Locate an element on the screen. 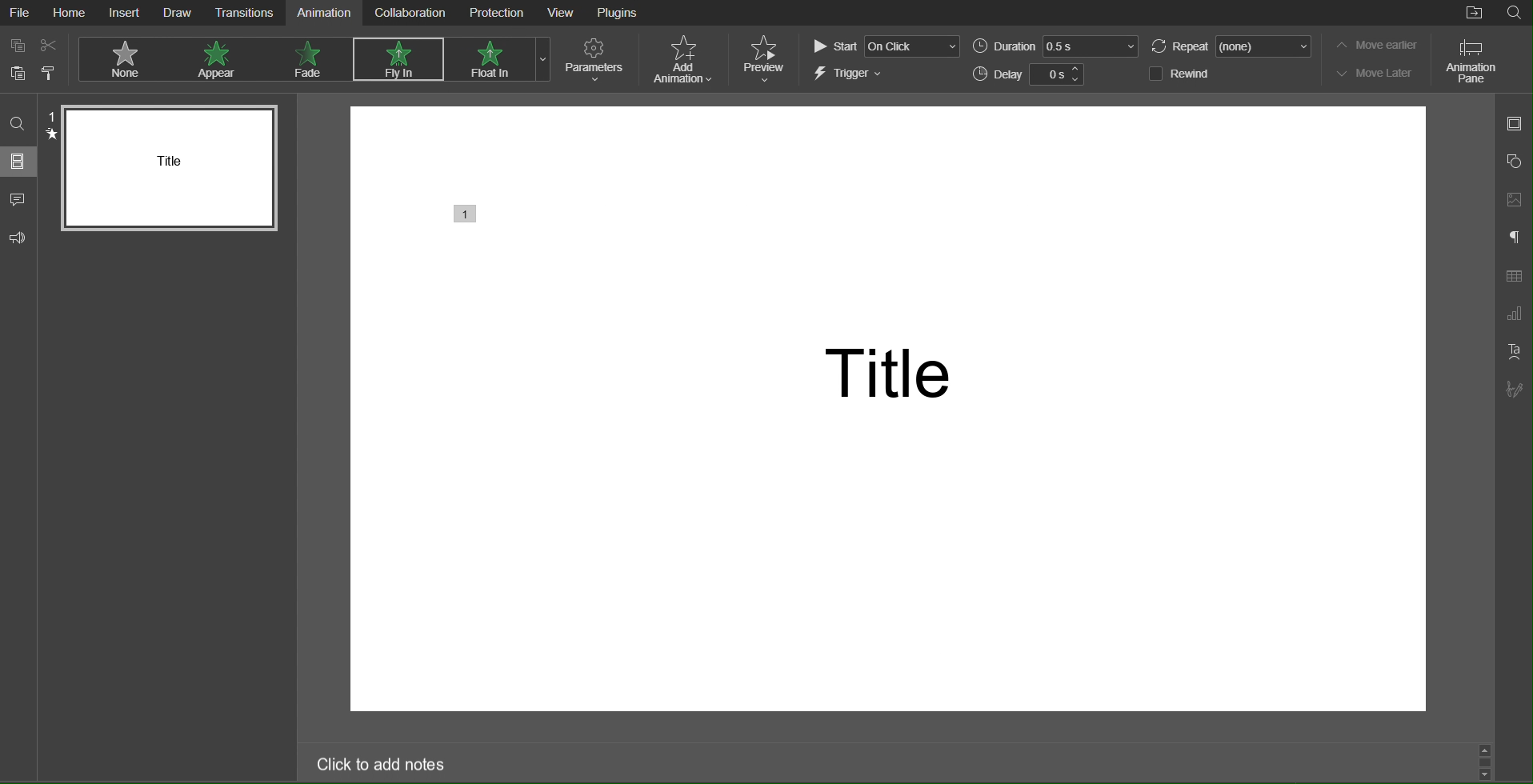  Slide 1 is located at coordinates (167, 166).